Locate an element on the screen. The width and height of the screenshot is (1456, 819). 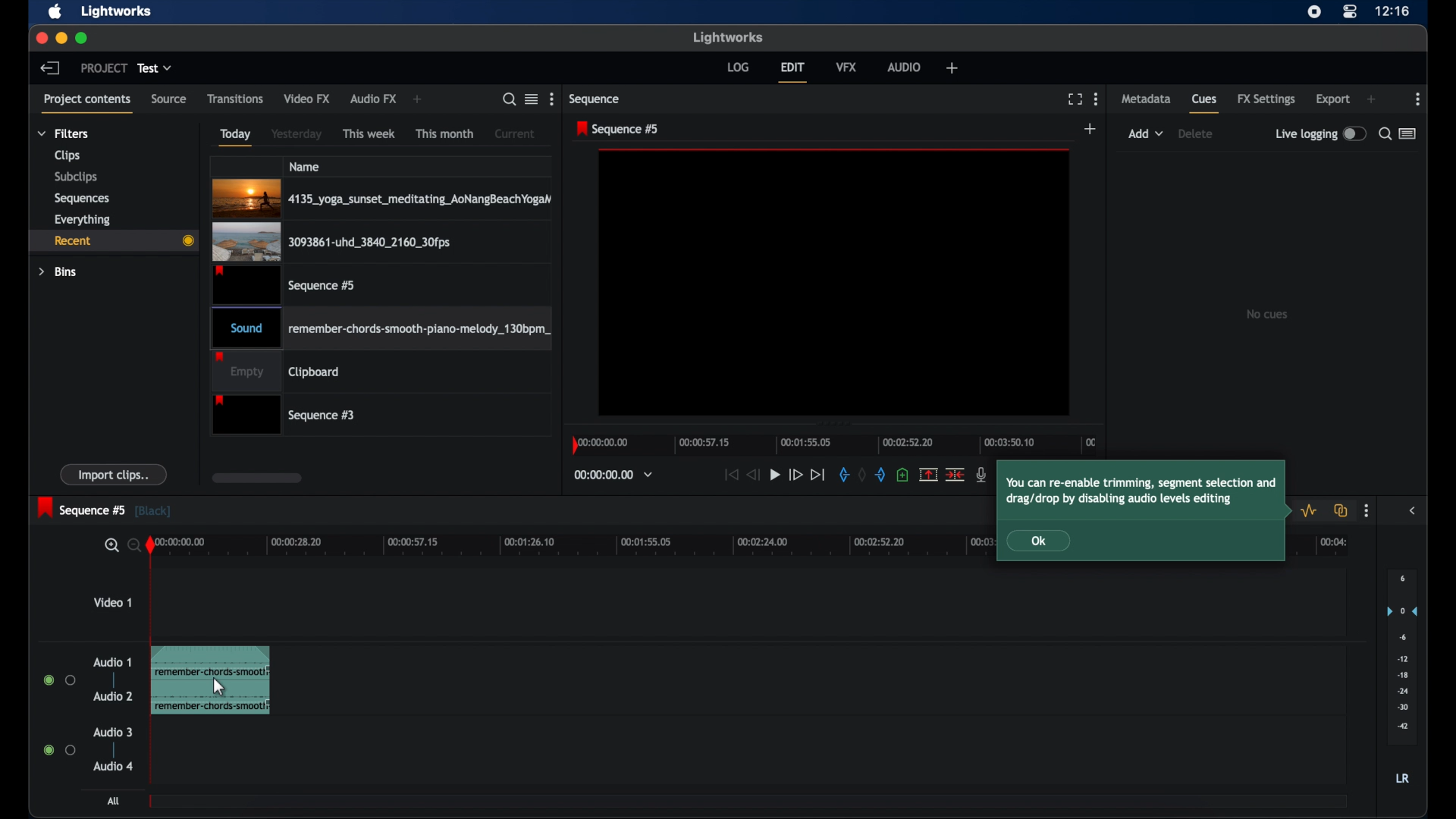
4135_yoga_sunset_meditating_AoNangBeachYogaN is located at coordinates (383, 197).